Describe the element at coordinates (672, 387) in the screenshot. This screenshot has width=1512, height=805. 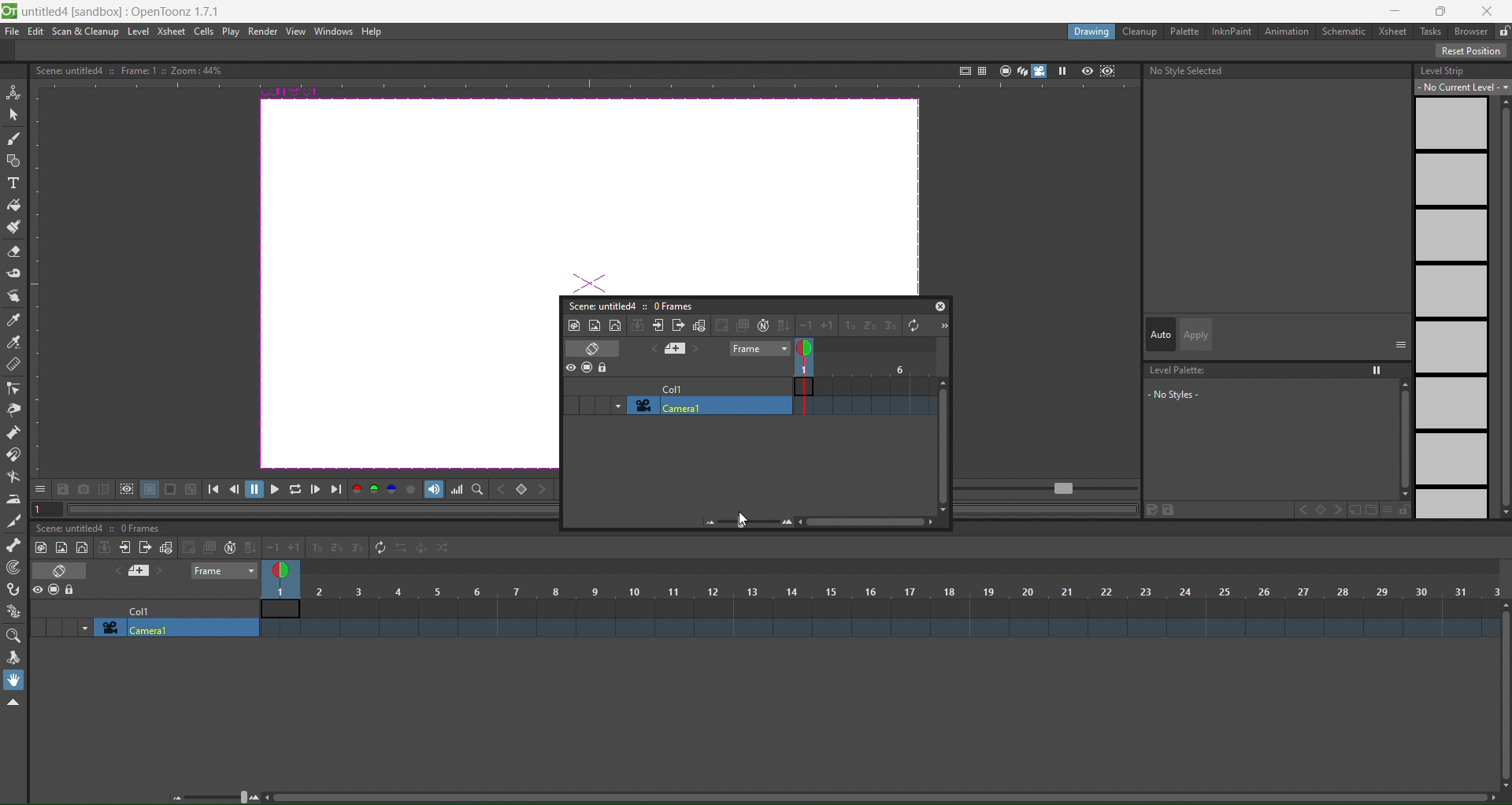
I see `col1` at that location.